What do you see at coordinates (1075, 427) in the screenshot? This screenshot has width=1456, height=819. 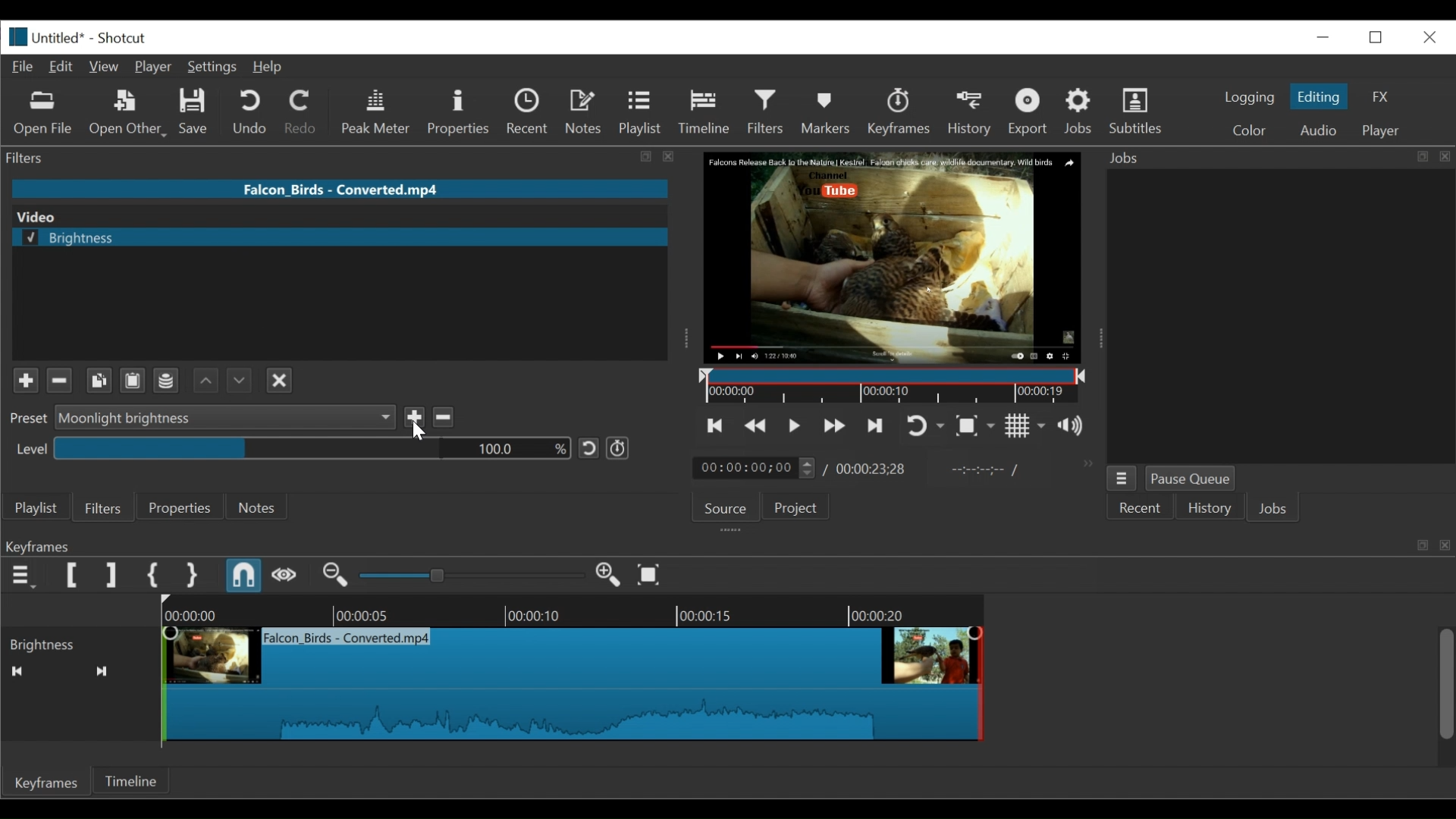 I see `Show the volume control` at bounding box center [1075, 427].